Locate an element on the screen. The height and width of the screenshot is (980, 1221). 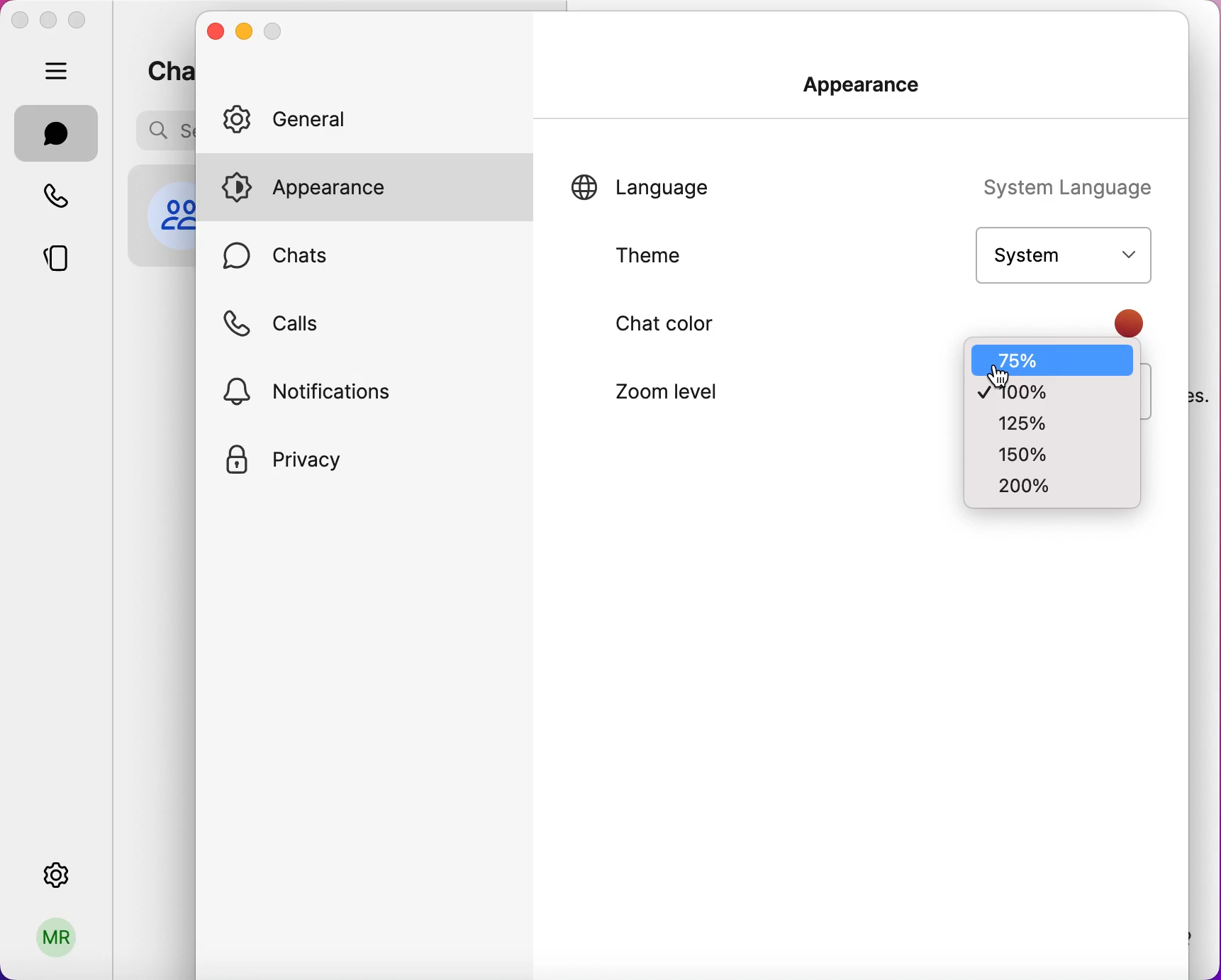
chats is located at coordinates (53, 130).